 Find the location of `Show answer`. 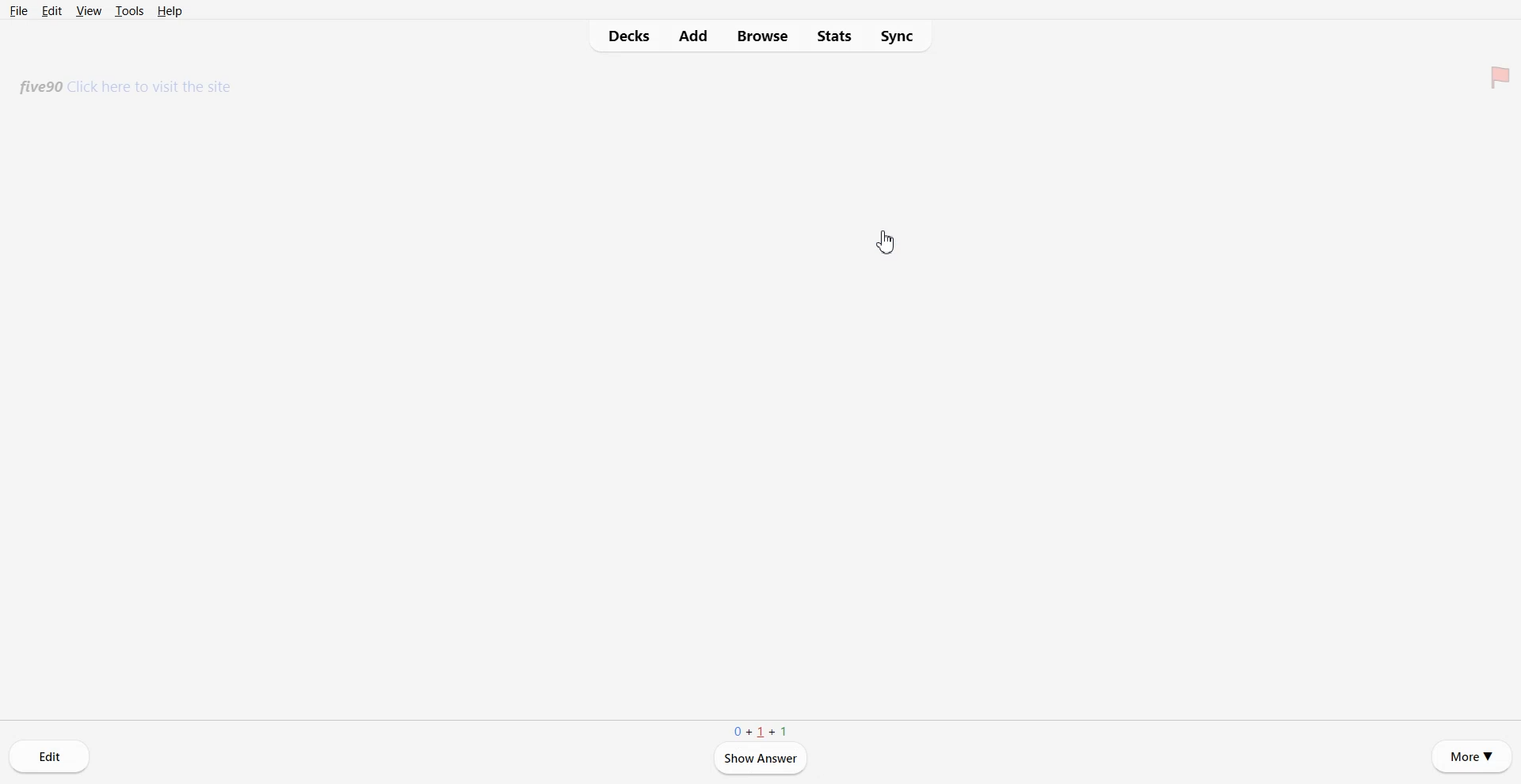

Show answer is located at coordinates (760, 759).